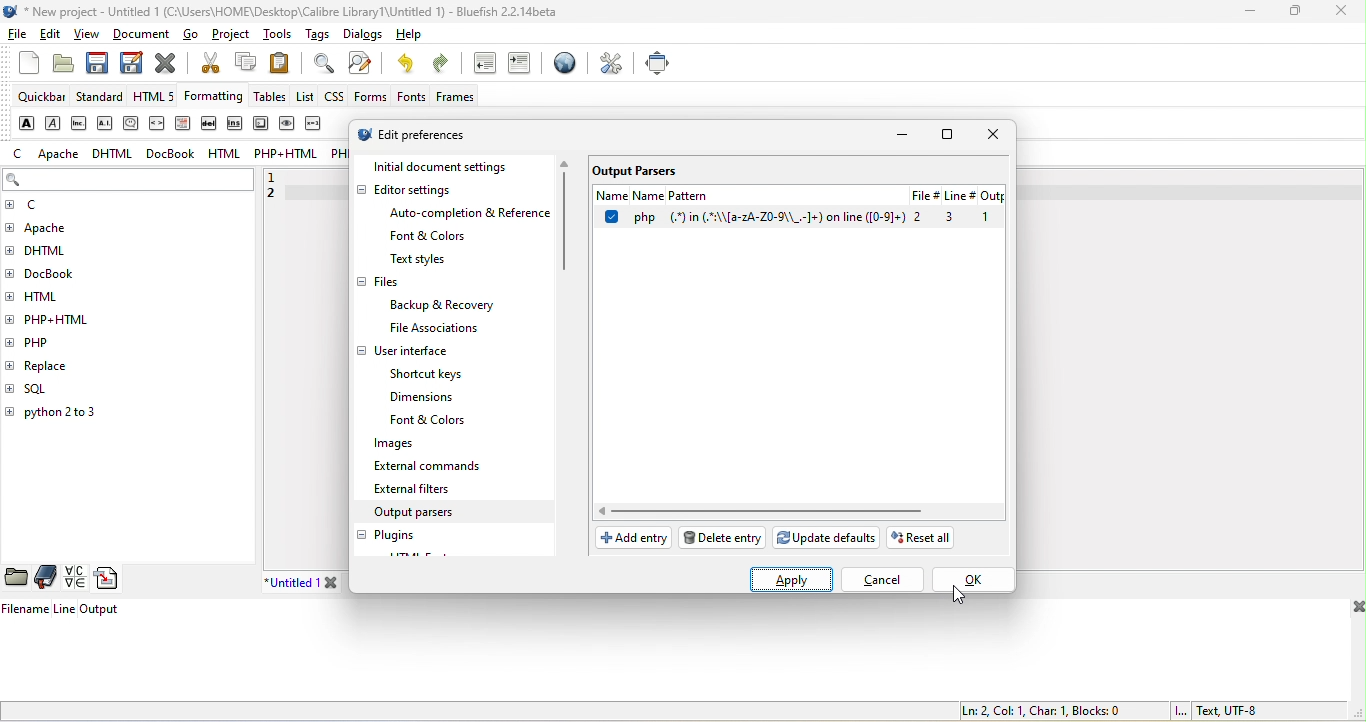 This screenshot has height=722, width=1366. What do you see at coordinates (1341, 12) in the screenshot?
I see `close` at bounding box center [1341, 12].